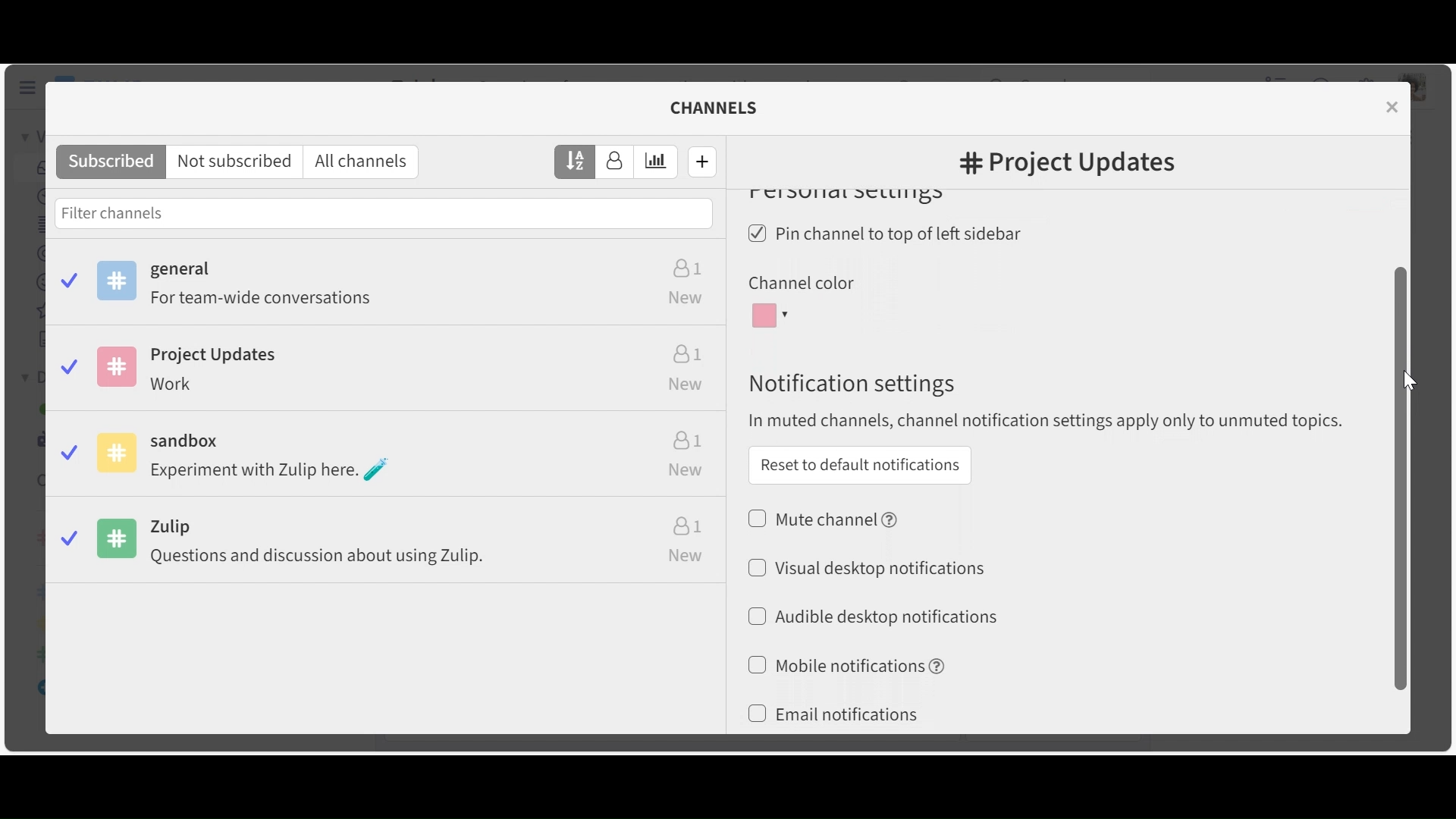 This screenshot has width=1456, height=819. Describe the element at coordinates (866, 566) in the screenshot. I see `(un)select Visual desktop notifications` at that location.